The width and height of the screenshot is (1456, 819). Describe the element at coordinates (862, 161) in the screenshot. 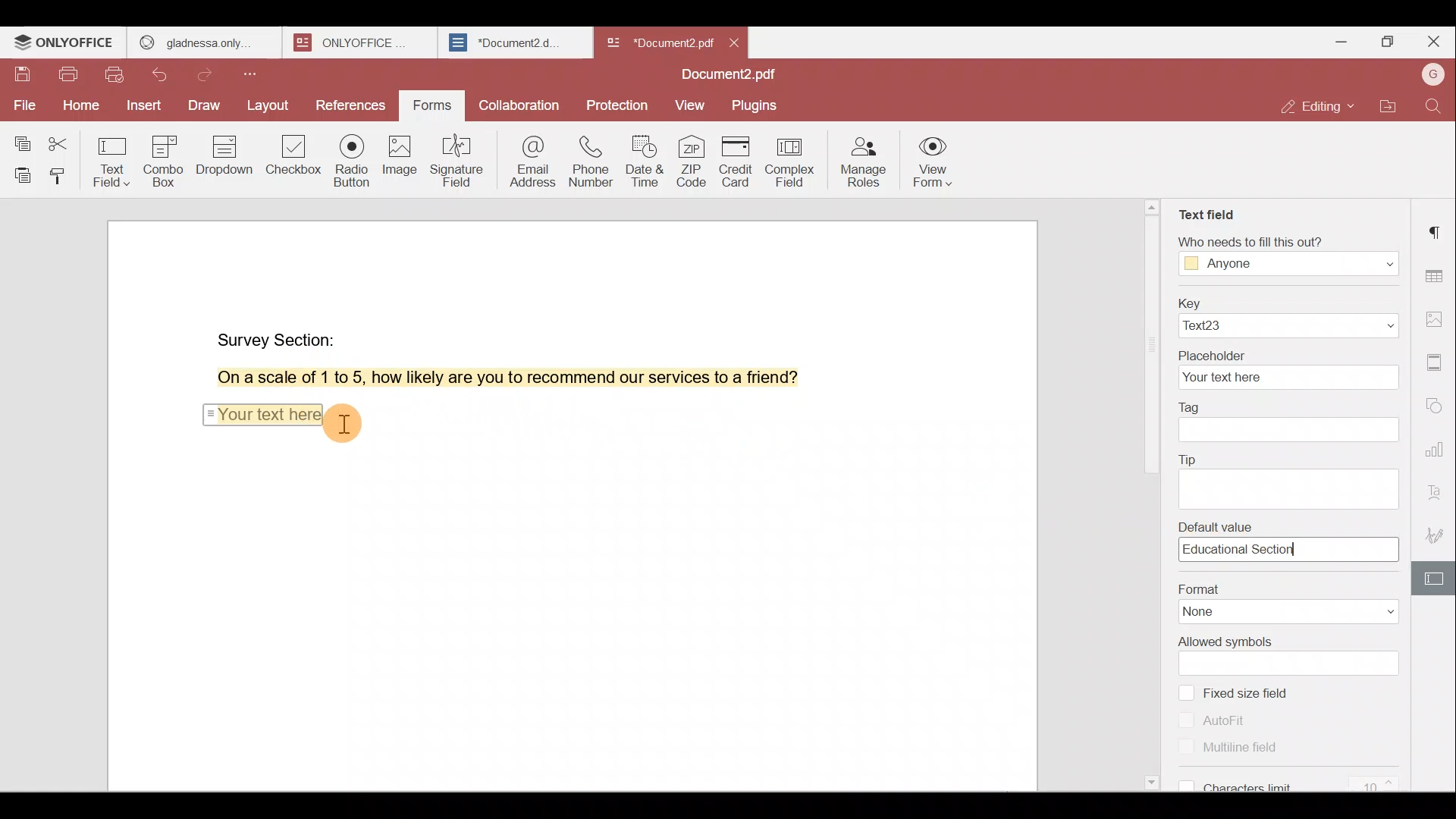

I see `Manage roles` at that location.